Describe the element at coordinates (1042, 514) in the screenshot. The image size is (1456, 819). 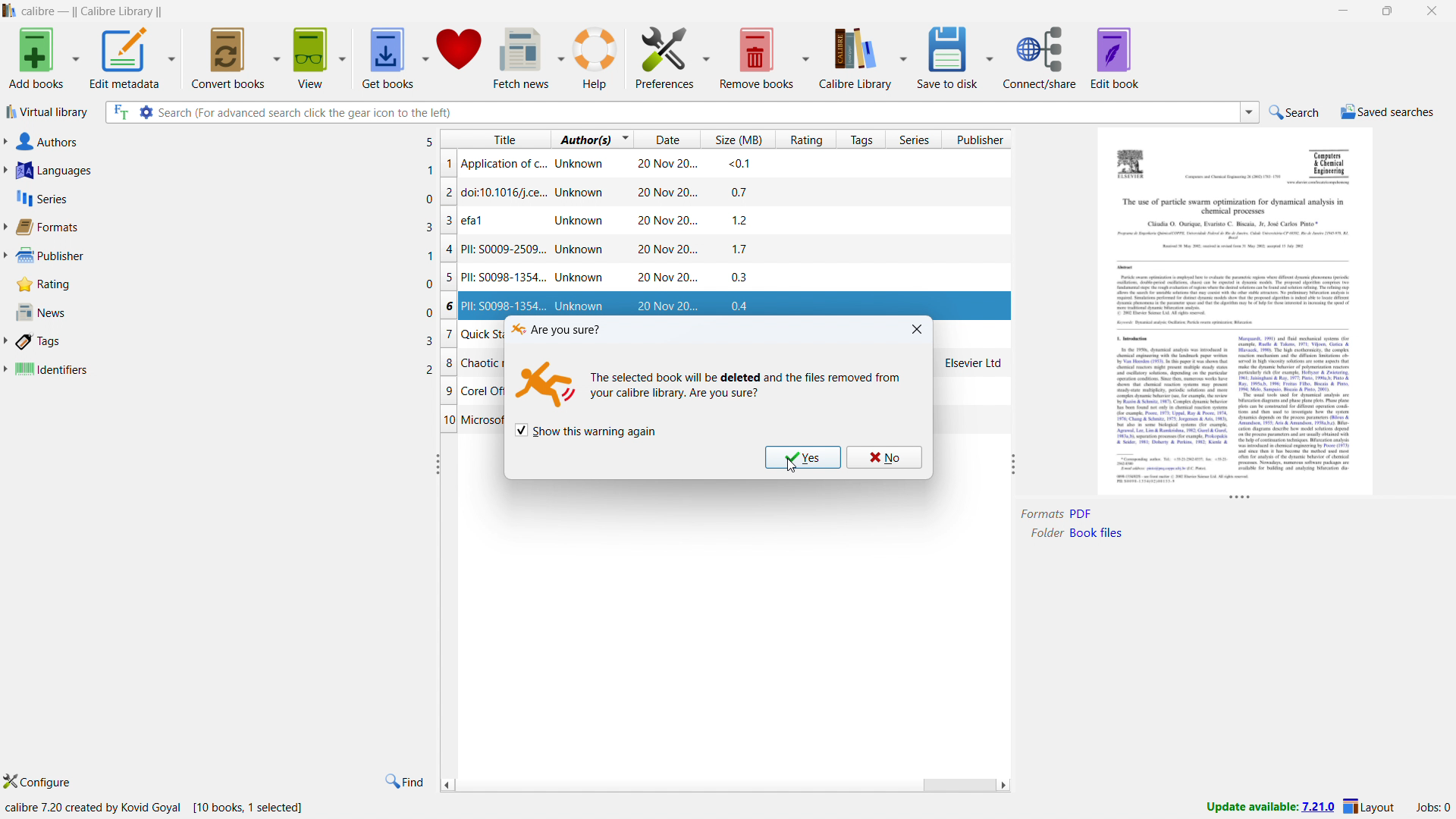
I see `Formats` at that location.